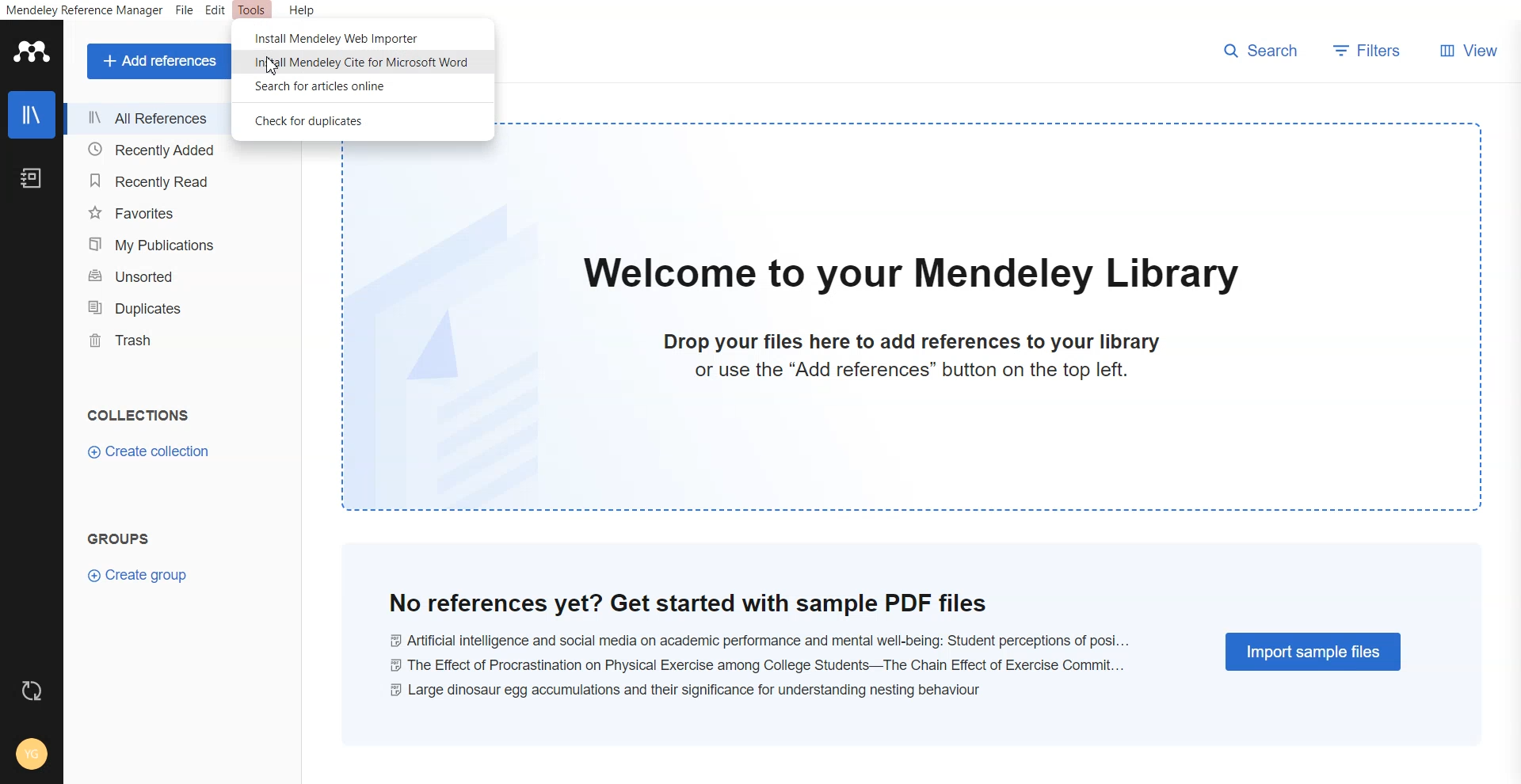 The image size is (1521, 784). I want to click on Filters, so click(1369, 52).